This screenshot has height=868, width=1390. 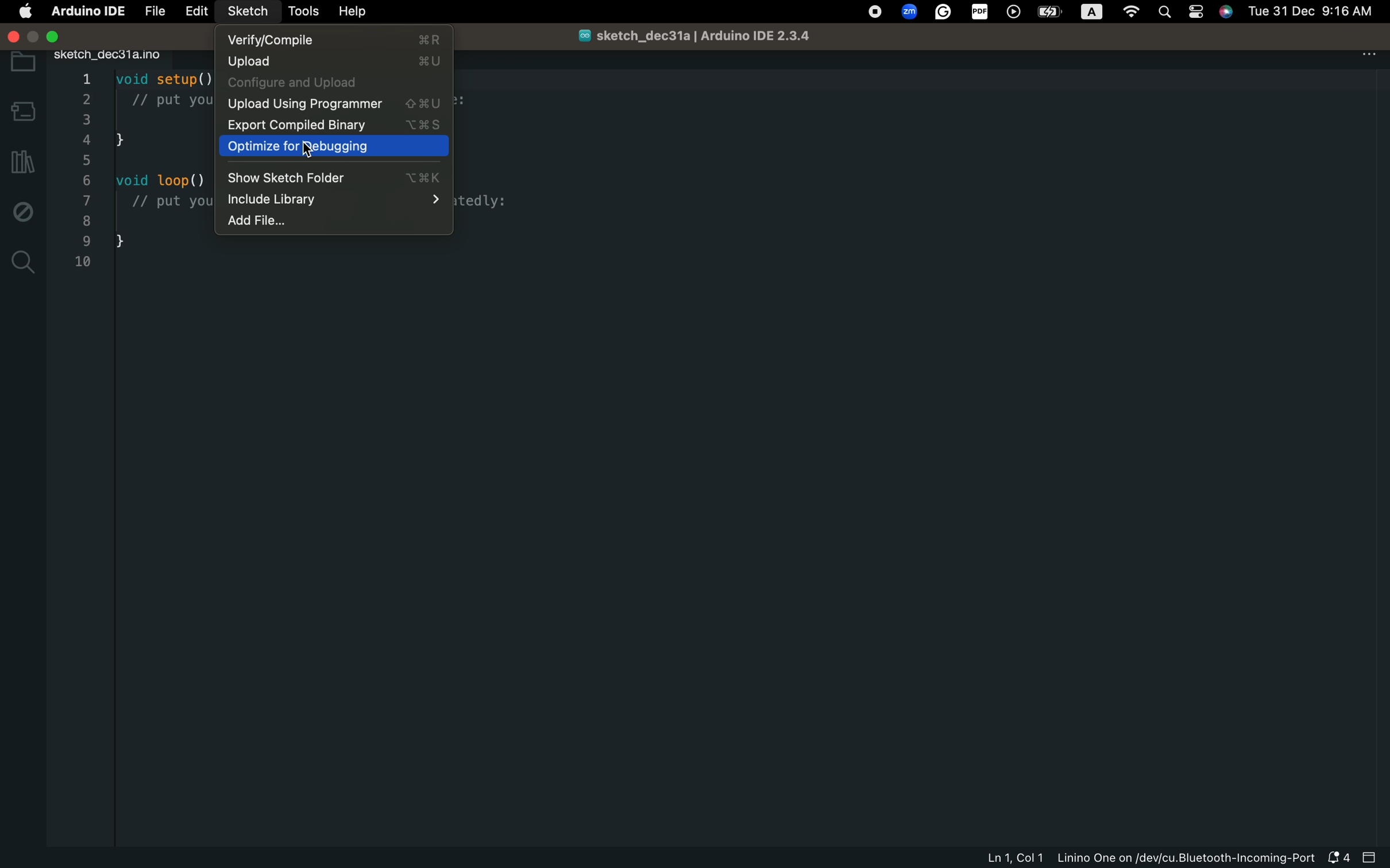 What do you see at coordinates (26, 13) in the screenshot?
I see `main setting` at bounding box center [26, 13].